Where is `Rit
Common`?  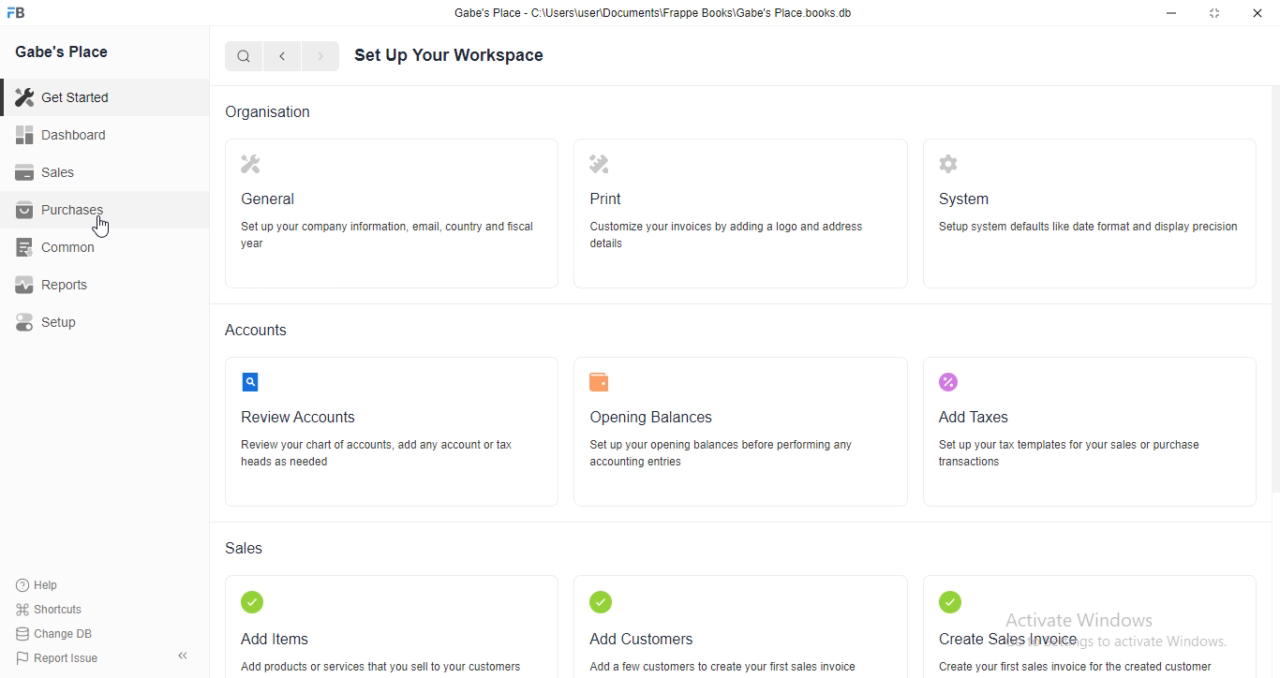
Rit
Common is located at coordinates (60, 248).